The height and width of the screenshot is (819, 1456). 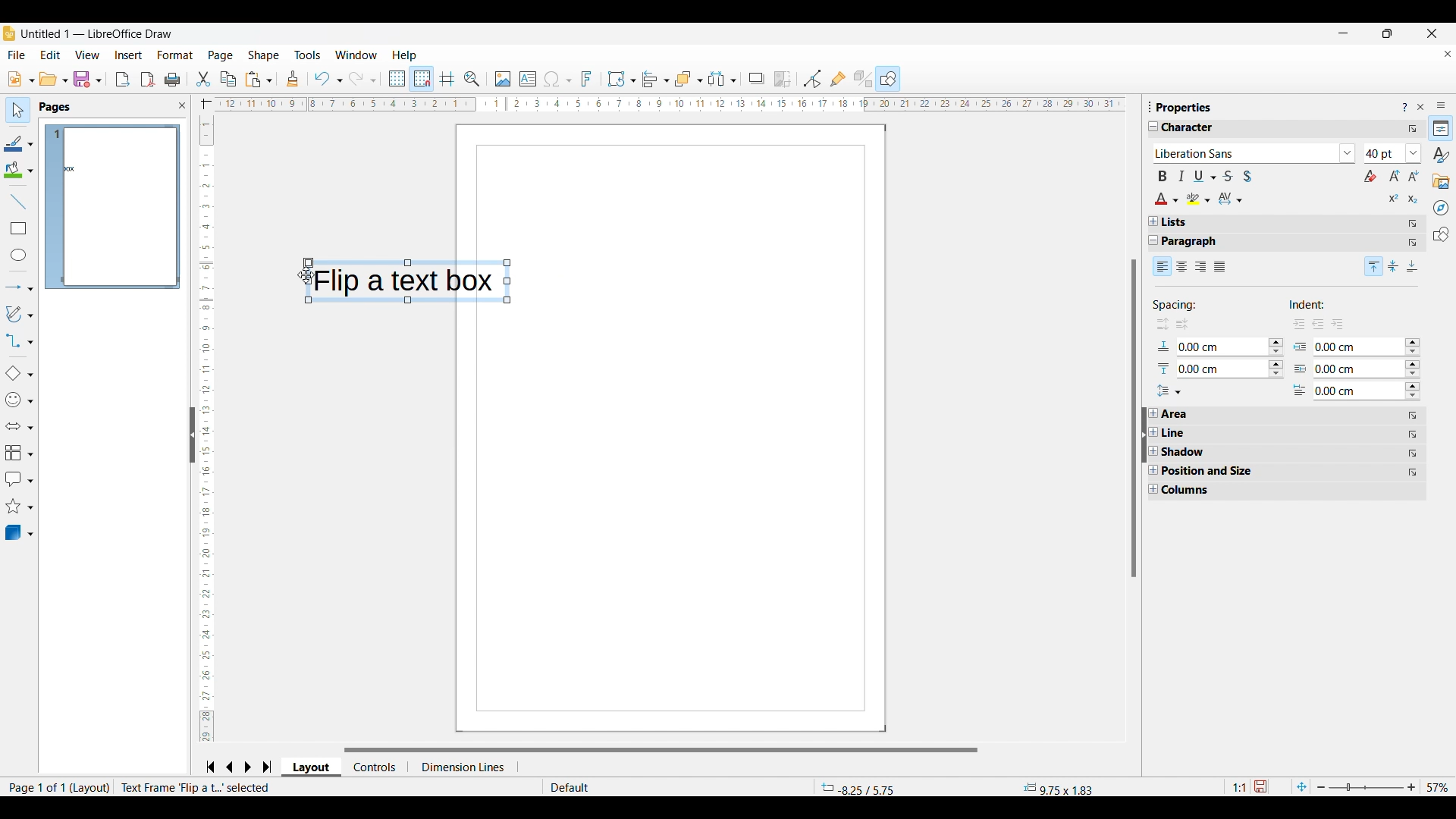 What do you see at coordinates (19, 143) in the screenshot?
I see `Line color options` at bounding box center [19, 143].